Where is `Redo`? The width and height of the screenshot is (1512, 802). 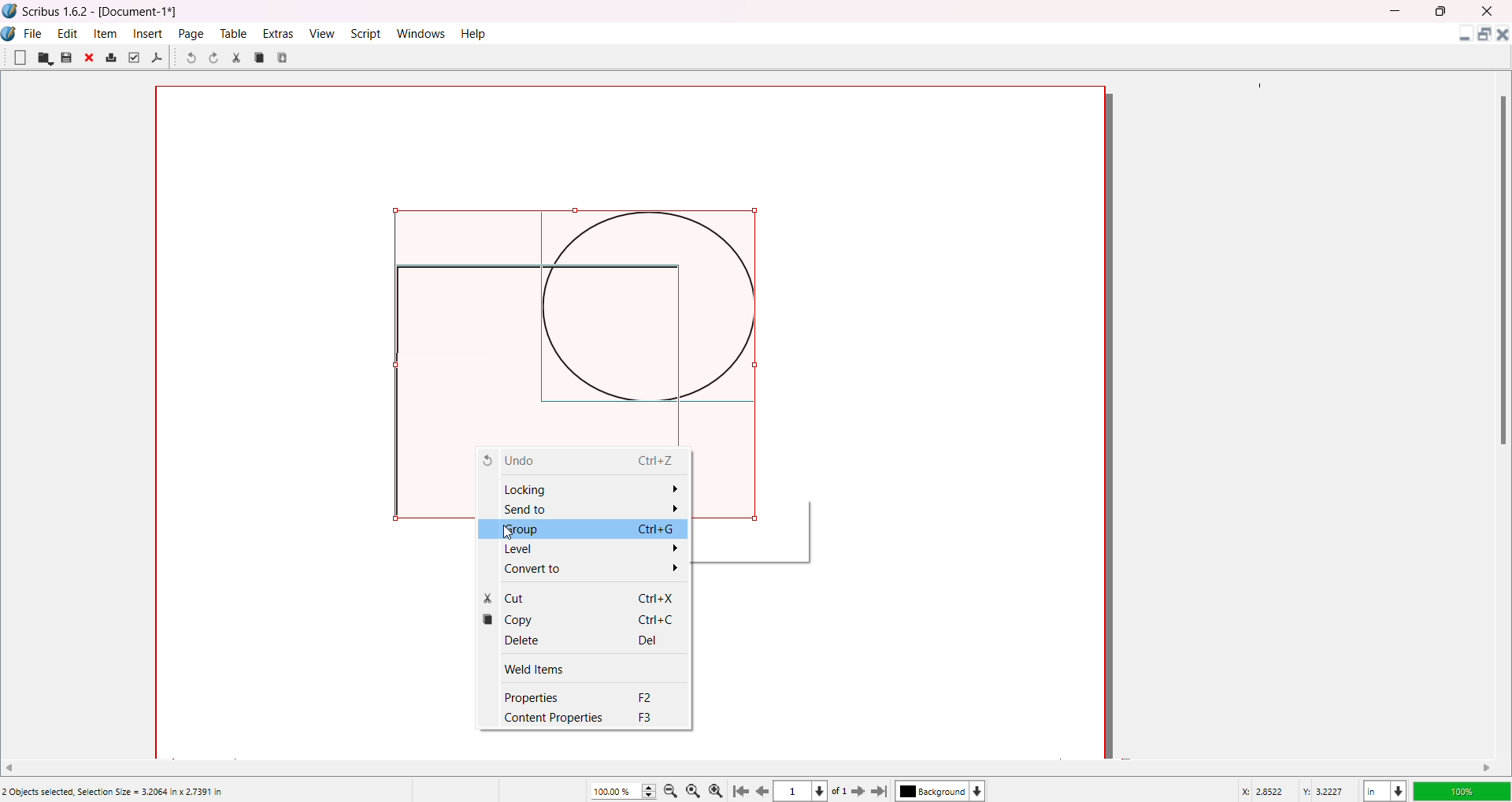
Redo is located at coordinates (217, 60).